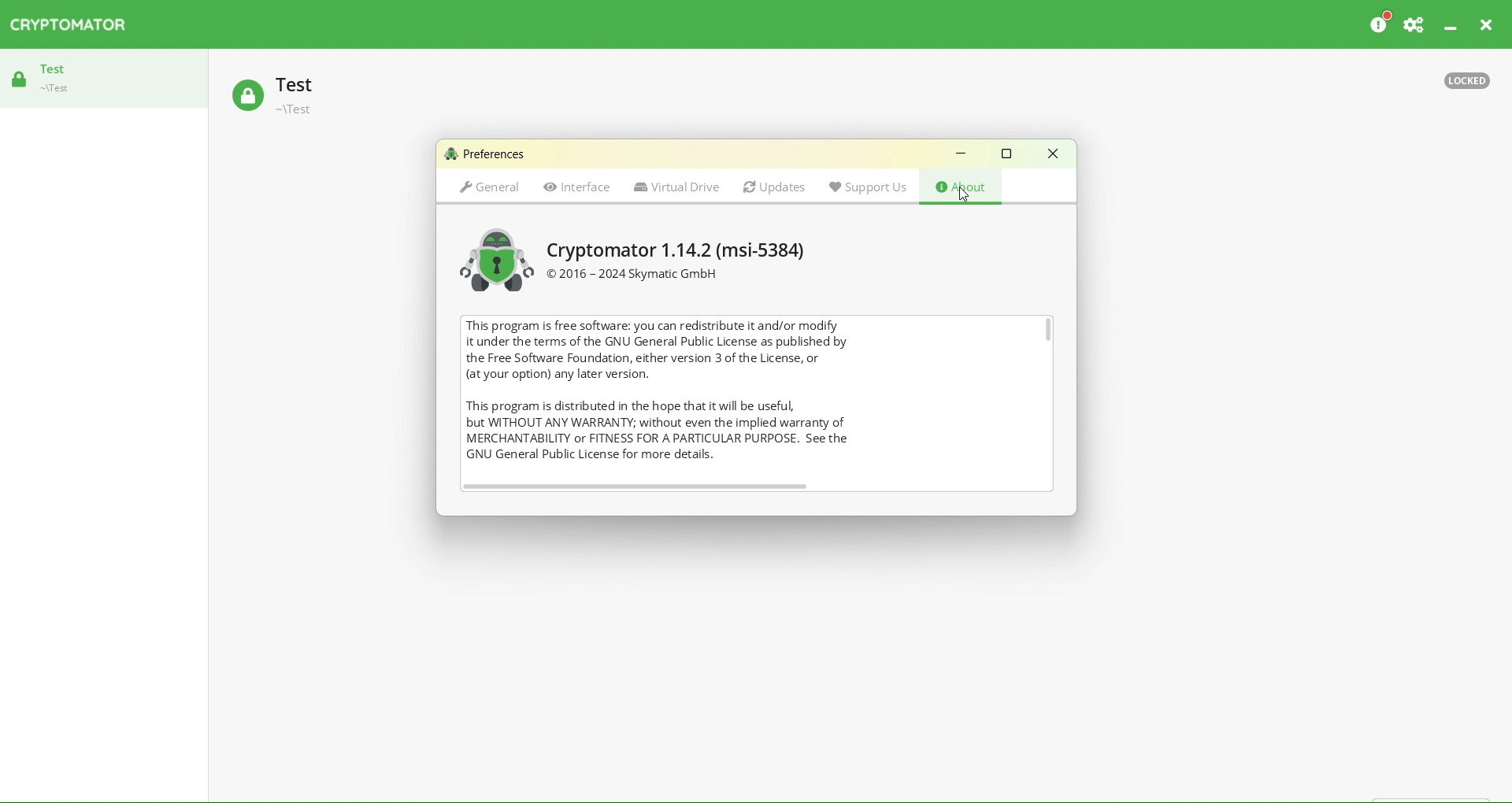  What do you see at coordinates (1492, 24) in the screenshot?
I see `Close` at bounding box center [1492, 24].